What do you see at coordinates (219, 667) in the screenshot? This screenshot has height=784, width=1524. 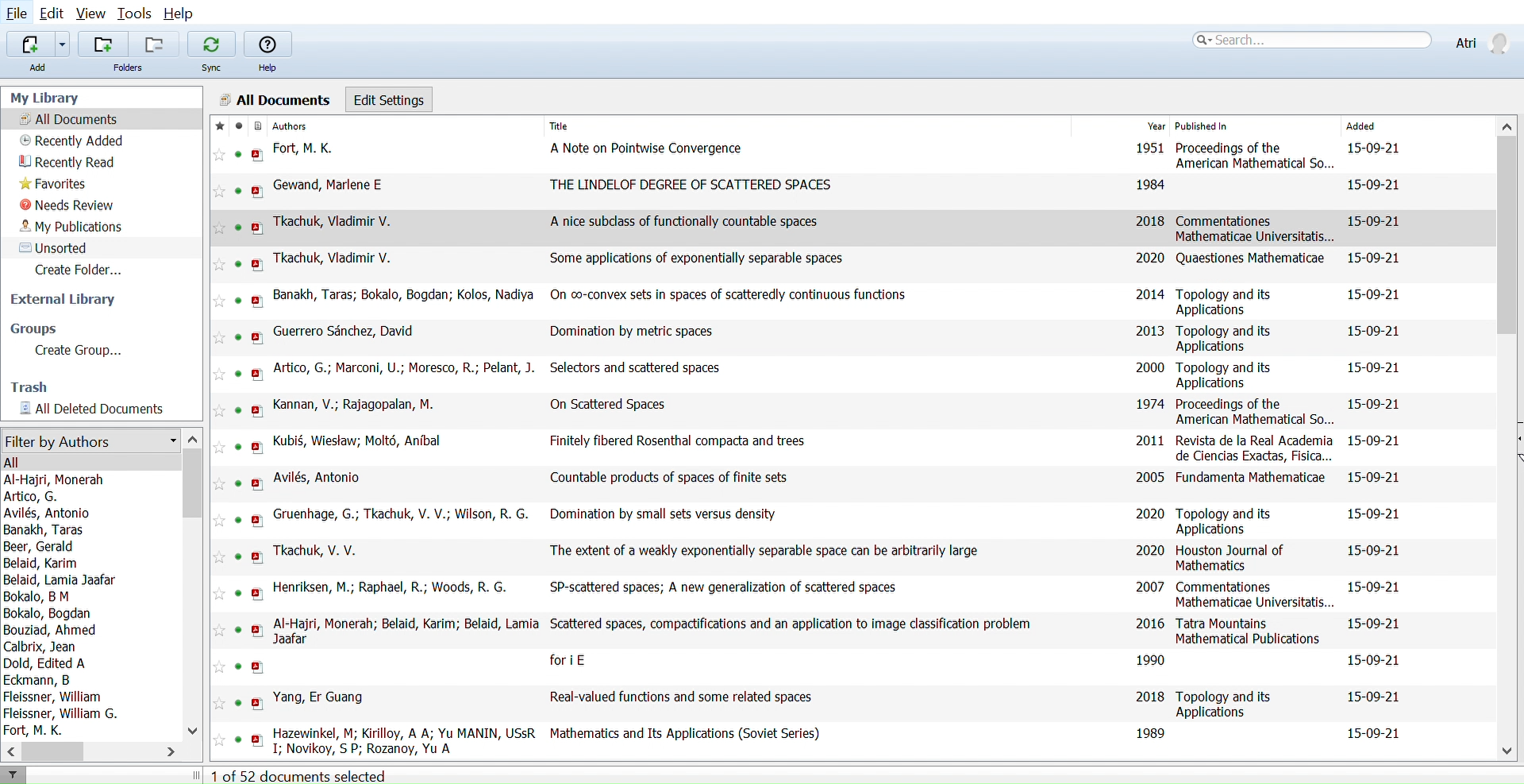 I see `Add this reference to favorites` at bounding box center [219, 667].